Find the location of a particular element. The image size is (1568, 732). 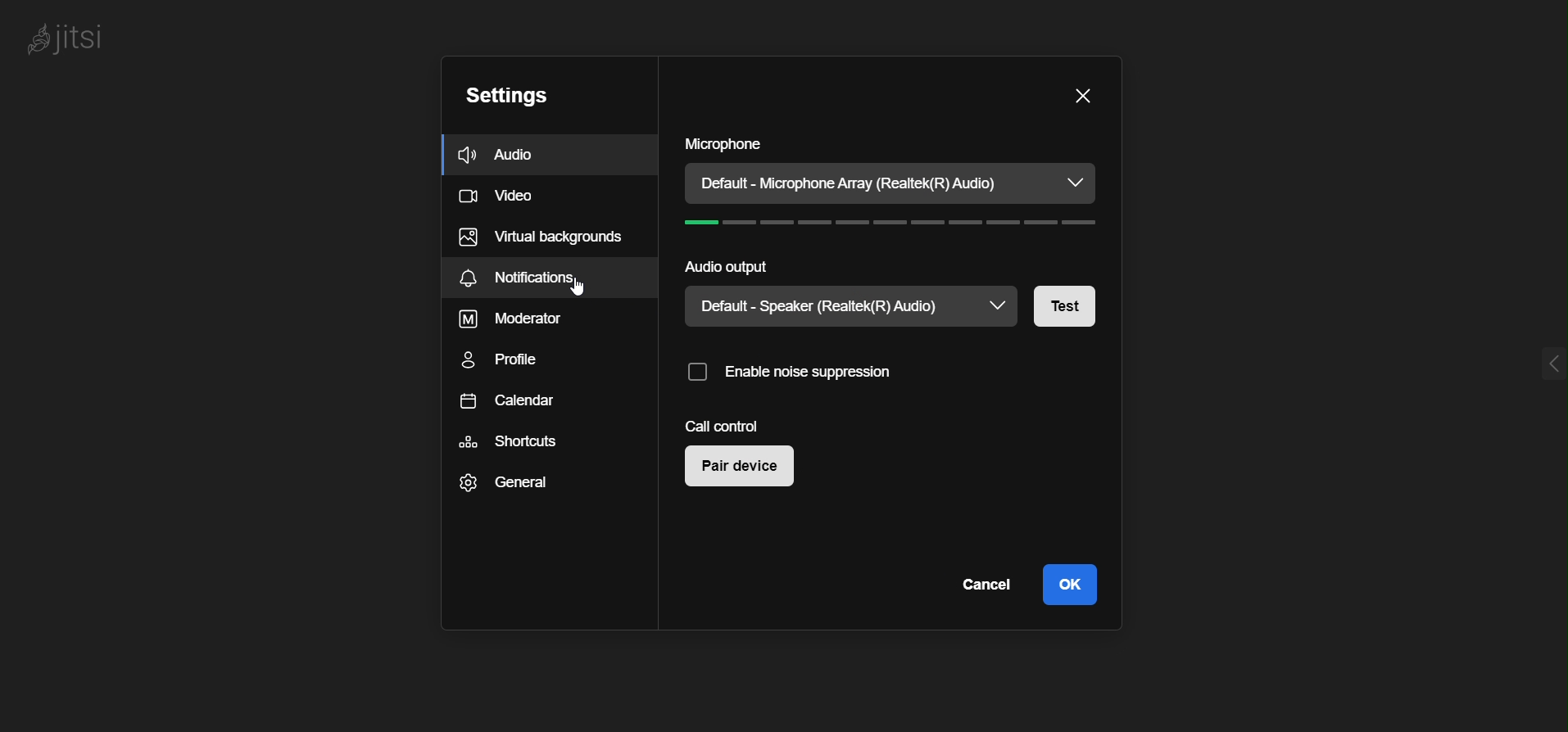

cancel is located at coordinates (977, 590).